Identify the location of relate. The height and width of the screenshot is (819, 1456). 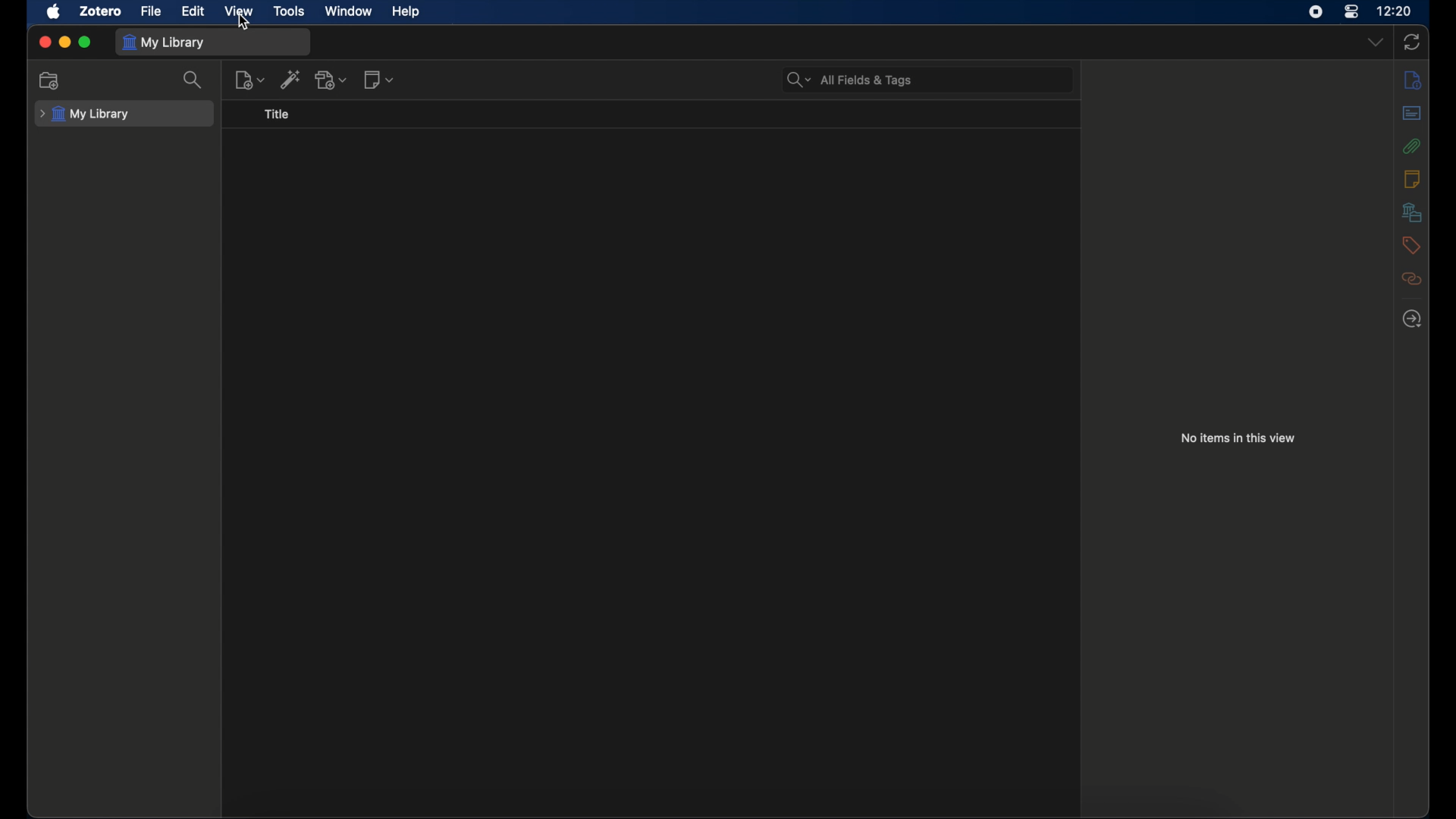
(1411, 278).